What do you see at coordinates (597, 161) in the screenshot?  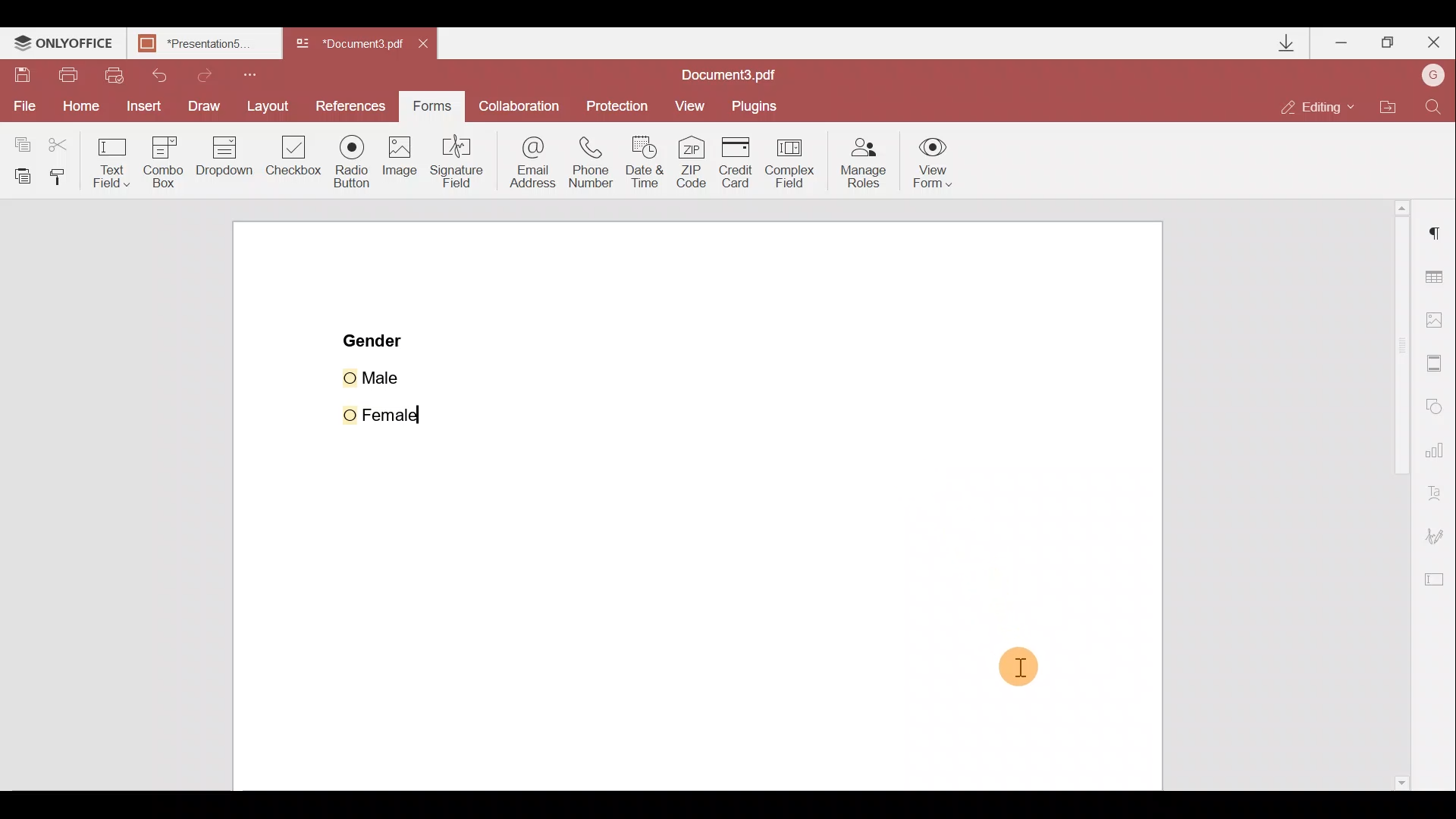 I see `Phone number` at bounding box center [597, 161].